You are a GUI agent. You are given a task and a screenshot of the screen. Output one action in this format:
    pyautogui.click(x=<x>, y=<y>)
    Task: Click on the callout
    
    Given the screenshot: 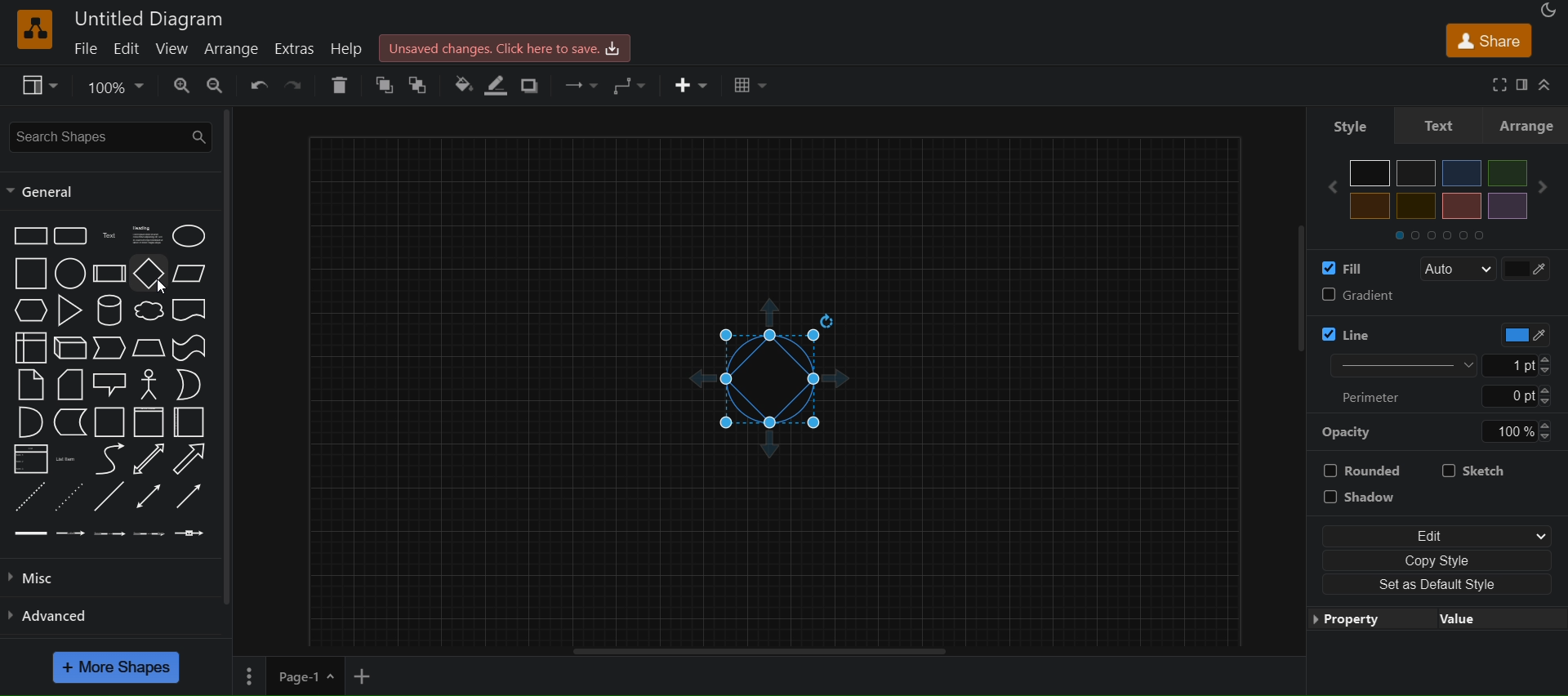 What is the action you would take?
    pyautogui.click(x=112, y=384)
    